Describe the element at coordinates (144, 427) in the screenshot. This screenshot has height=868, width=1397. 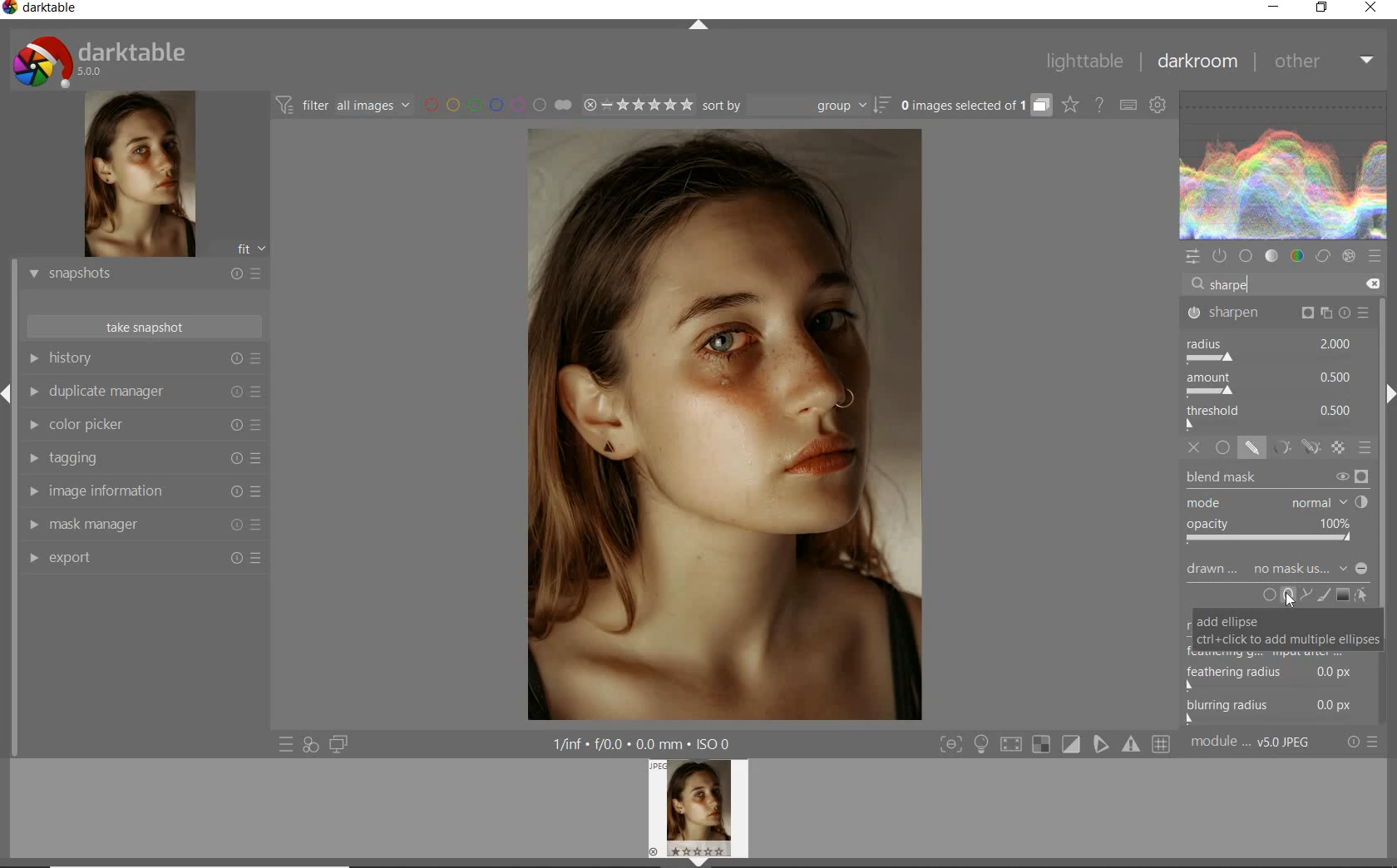
I see `color picker` at that location.